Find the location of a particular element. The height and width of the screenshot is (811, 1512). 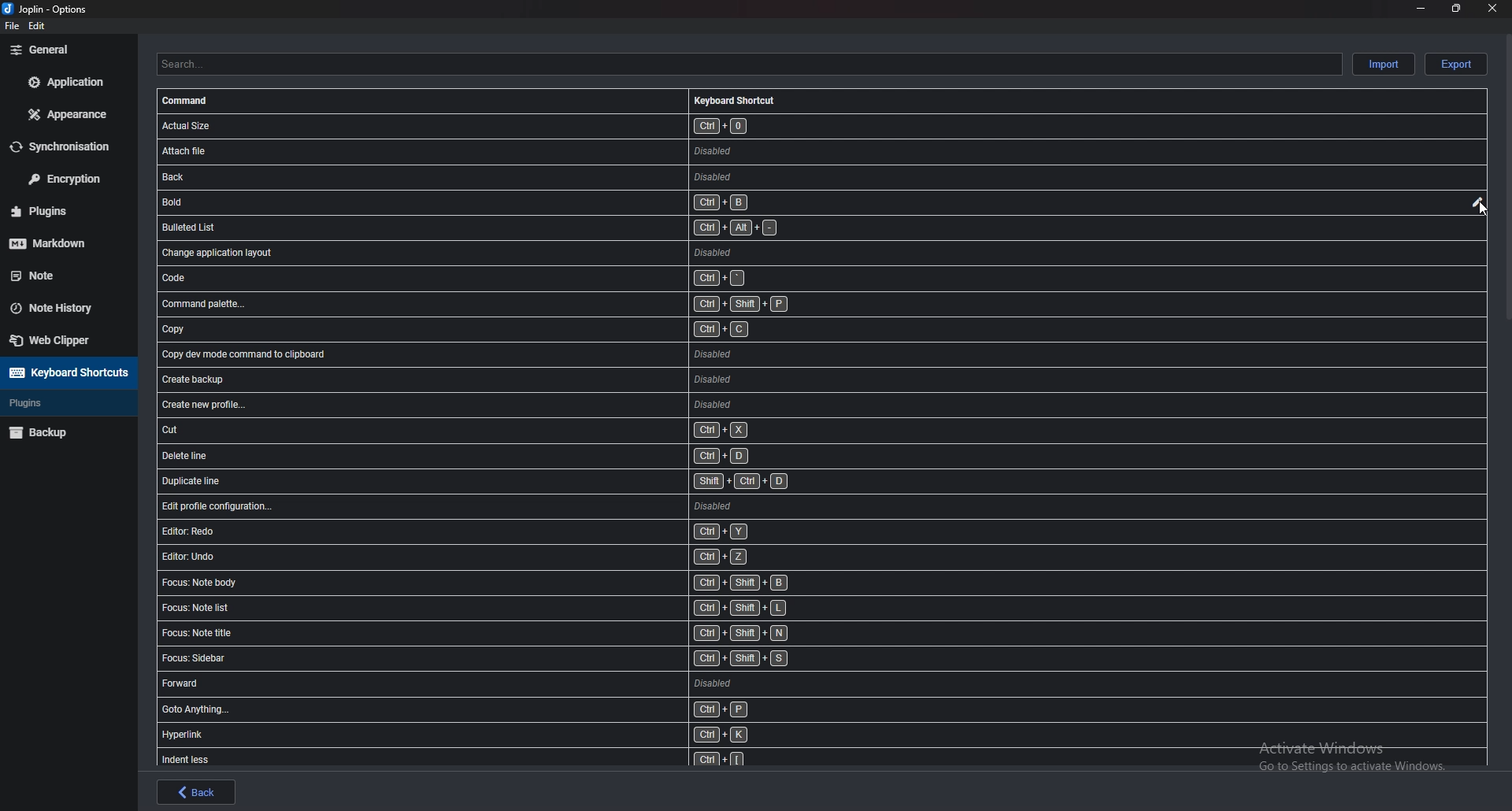

shortcut is located at coordinates (515, 531).